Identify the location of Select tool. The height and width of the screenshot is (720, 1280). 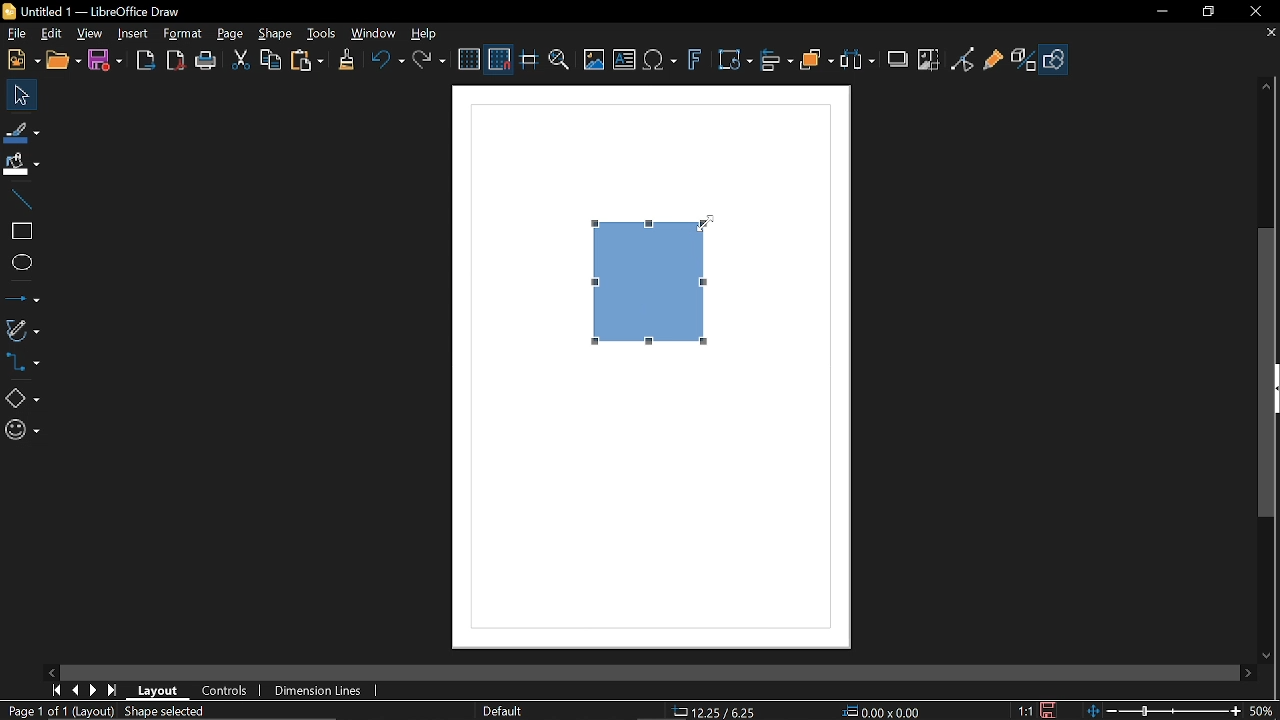
(18, 95).